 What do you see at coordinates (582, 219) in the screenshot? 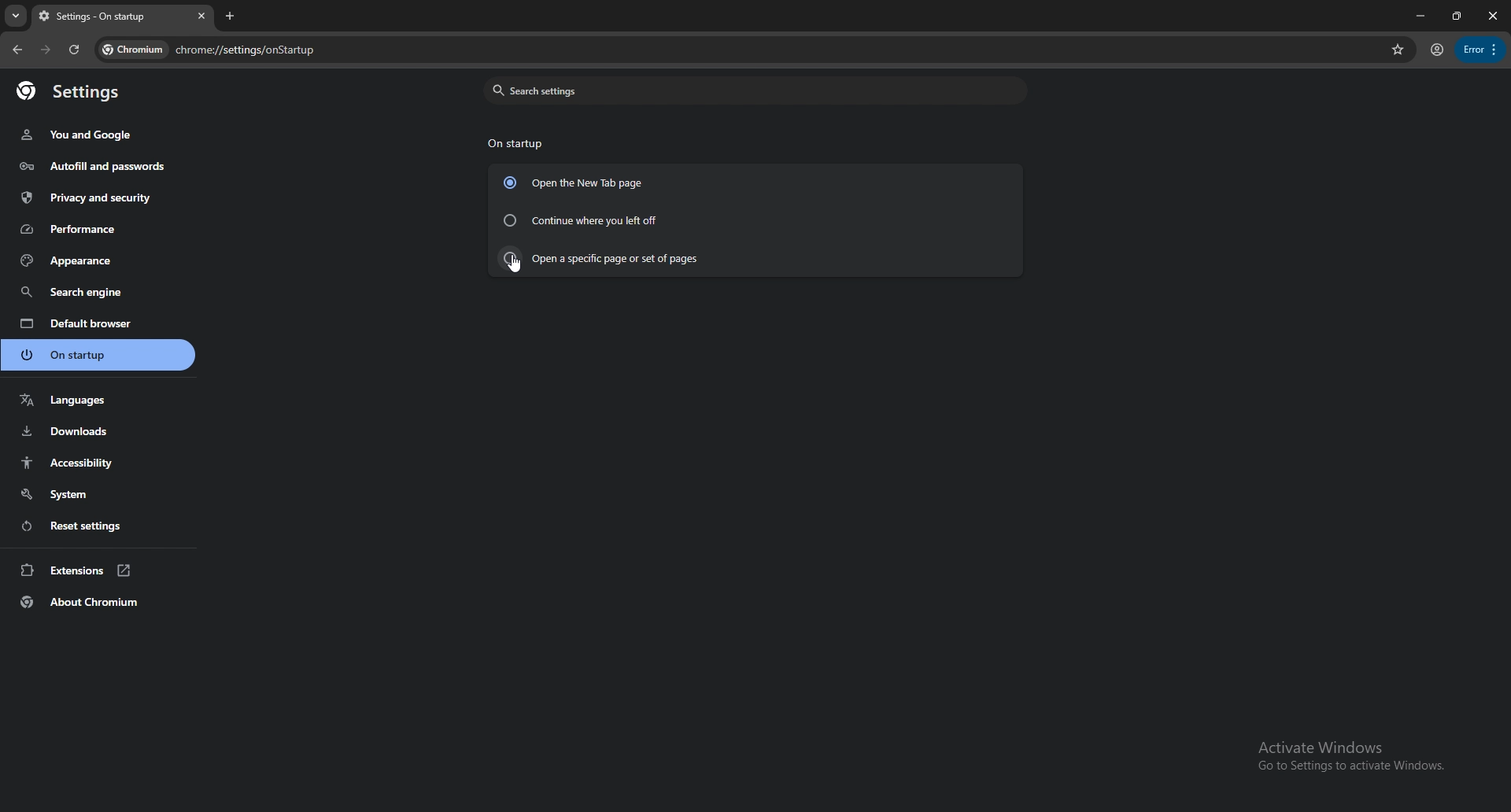
I see `continue where you left off` at bounding box center [582, 219].